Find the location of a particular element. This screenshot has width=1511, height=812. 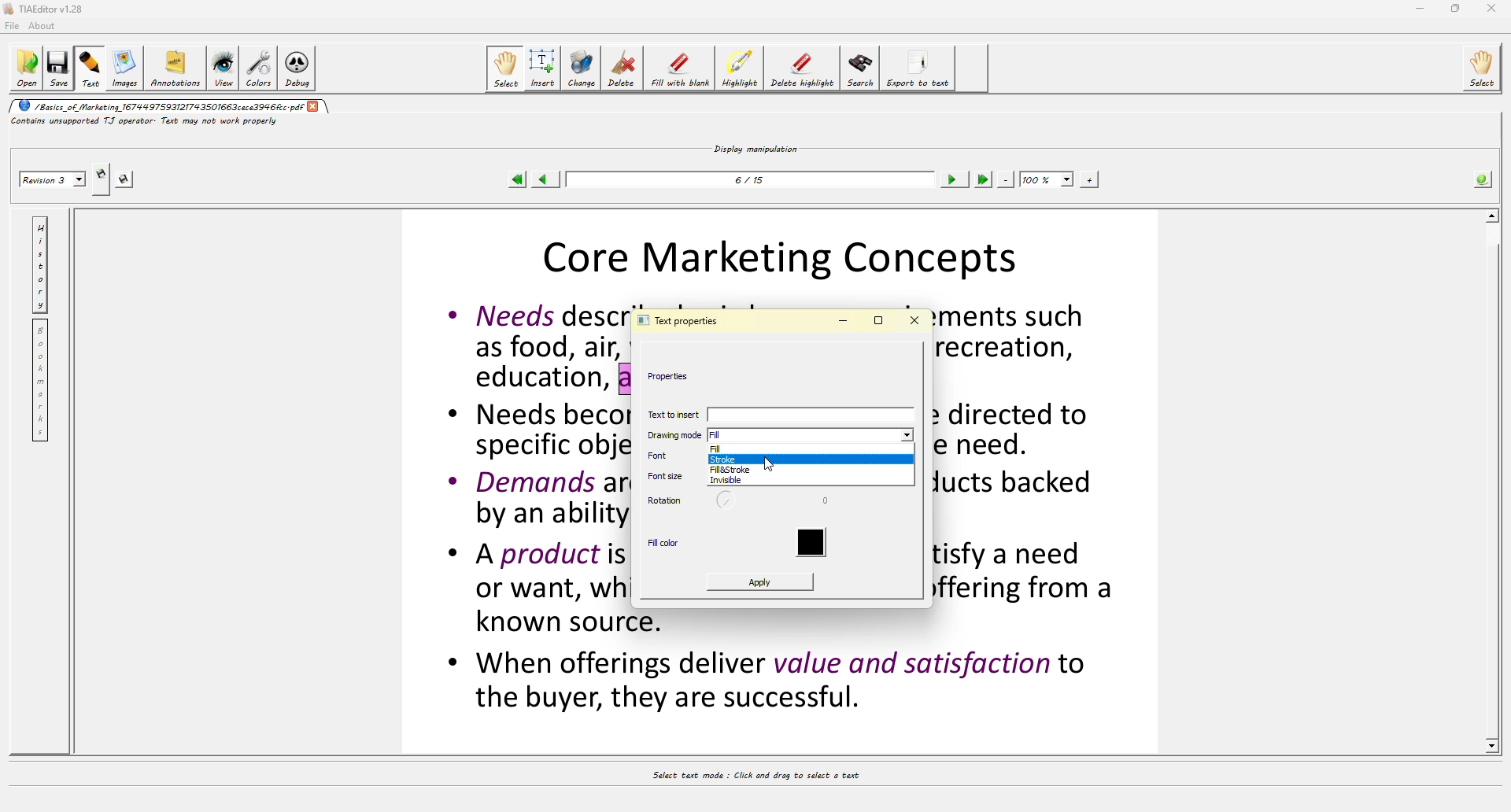

rotation is located at coordinates (663, 500).